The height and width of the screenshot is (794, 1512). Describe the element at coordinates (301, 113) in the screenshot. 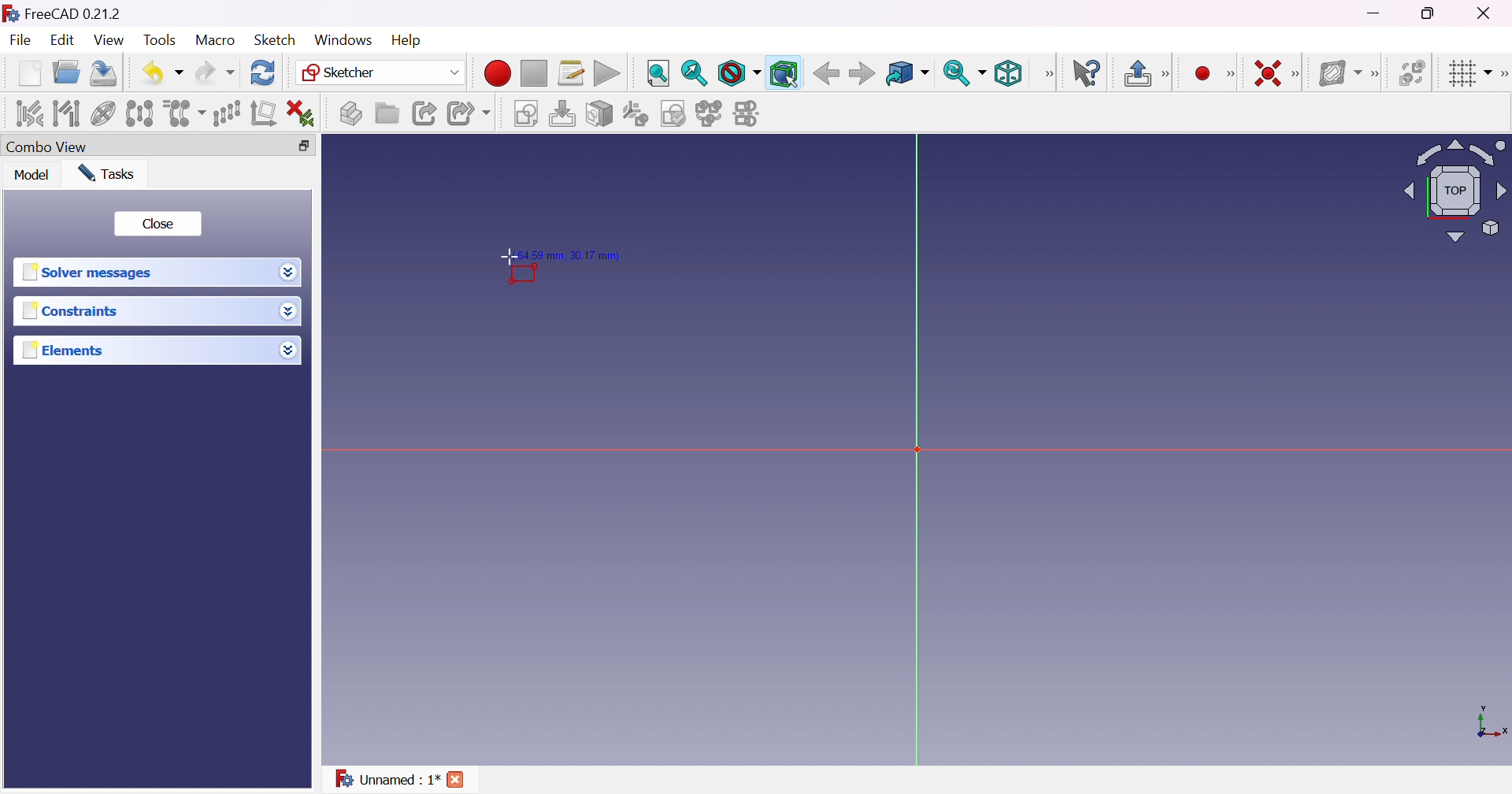

I see `Delete all constraints` at that location.